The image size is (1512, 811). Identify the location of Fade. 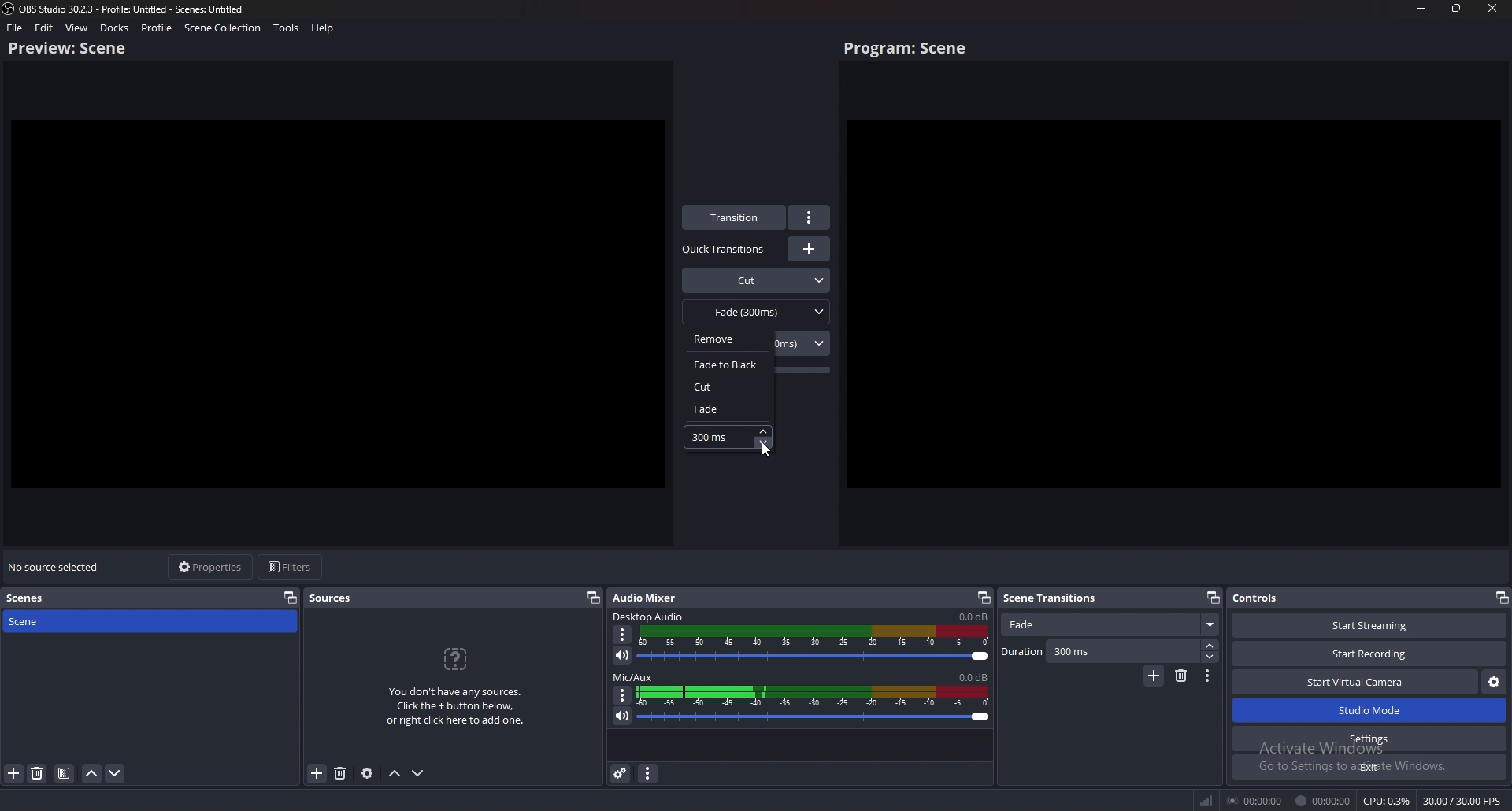
(1112, 625).